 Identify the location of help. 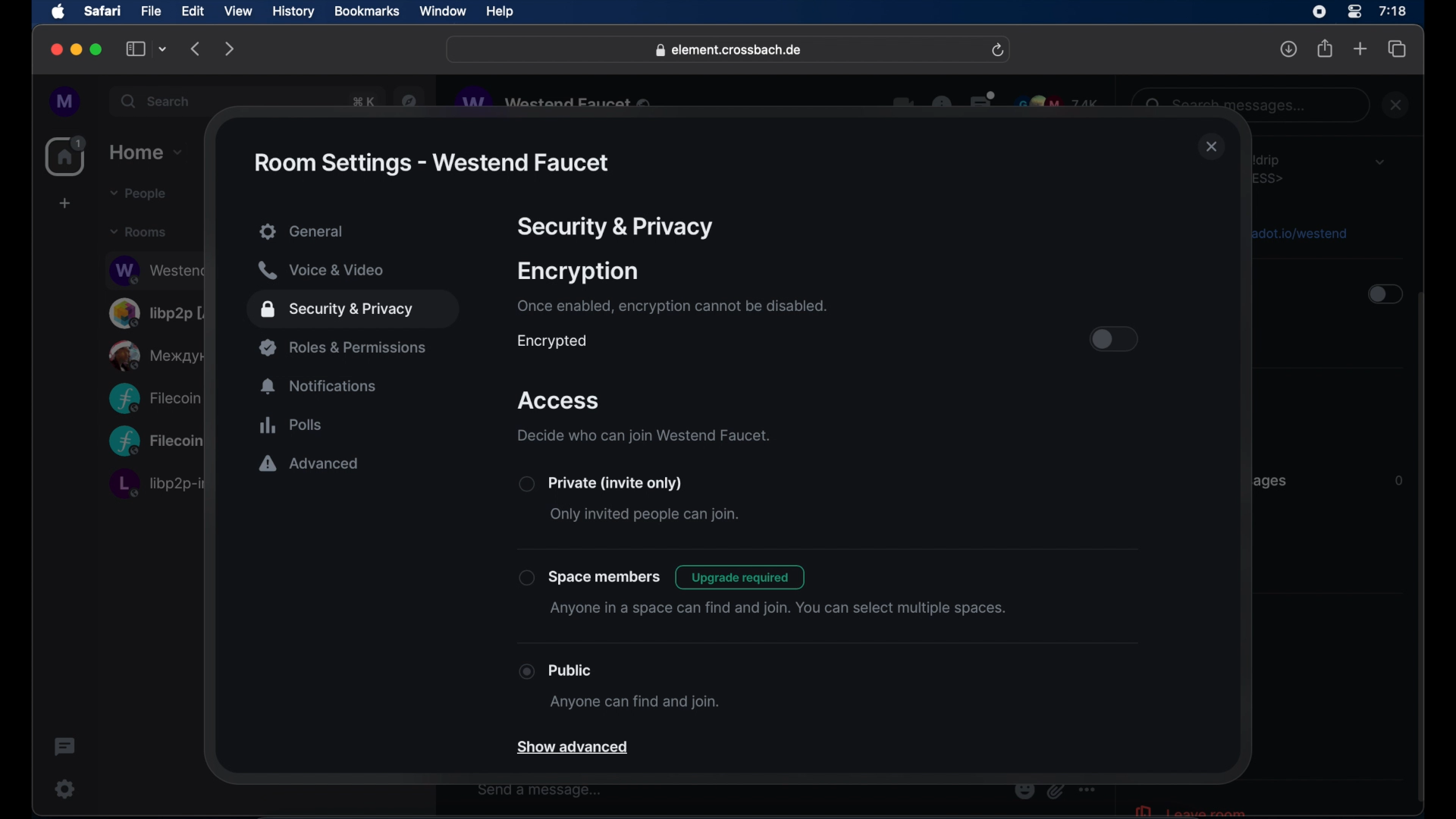
(500, 12).